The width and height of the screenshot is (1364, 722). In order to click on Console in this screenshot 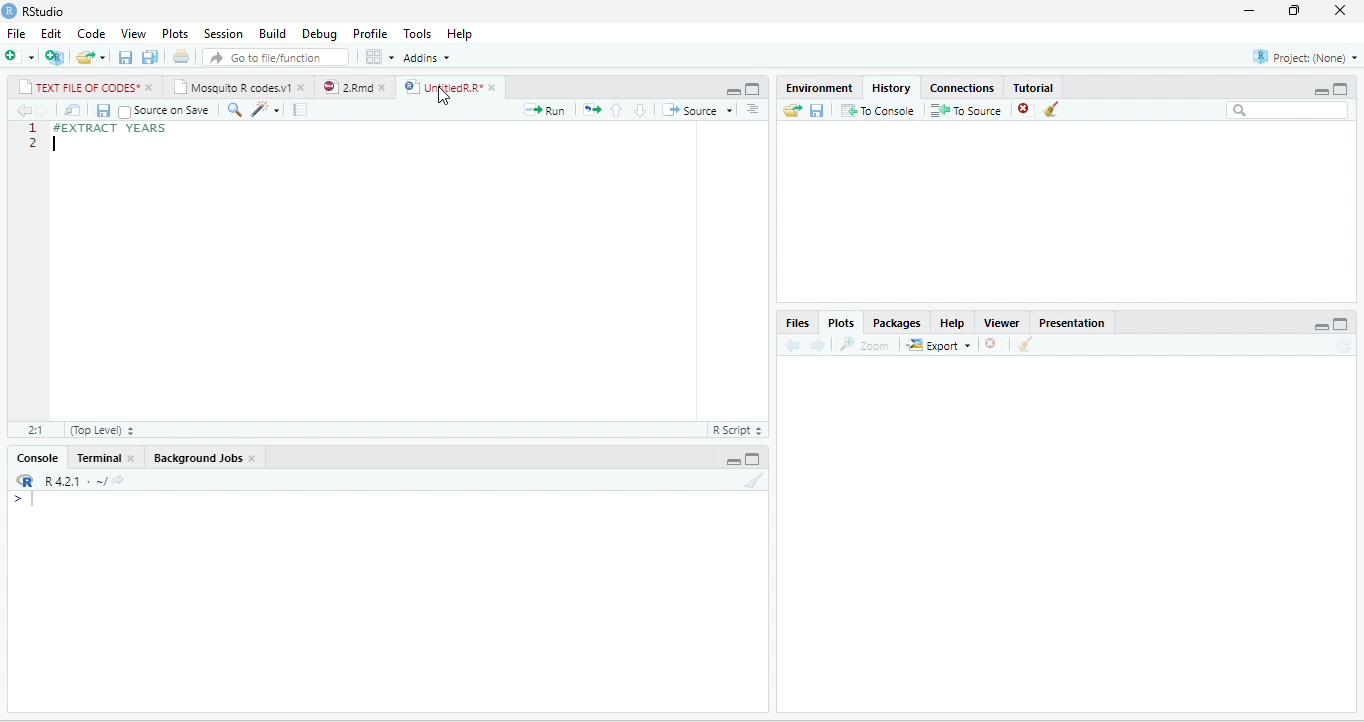, I will do `click(37, 458)`.